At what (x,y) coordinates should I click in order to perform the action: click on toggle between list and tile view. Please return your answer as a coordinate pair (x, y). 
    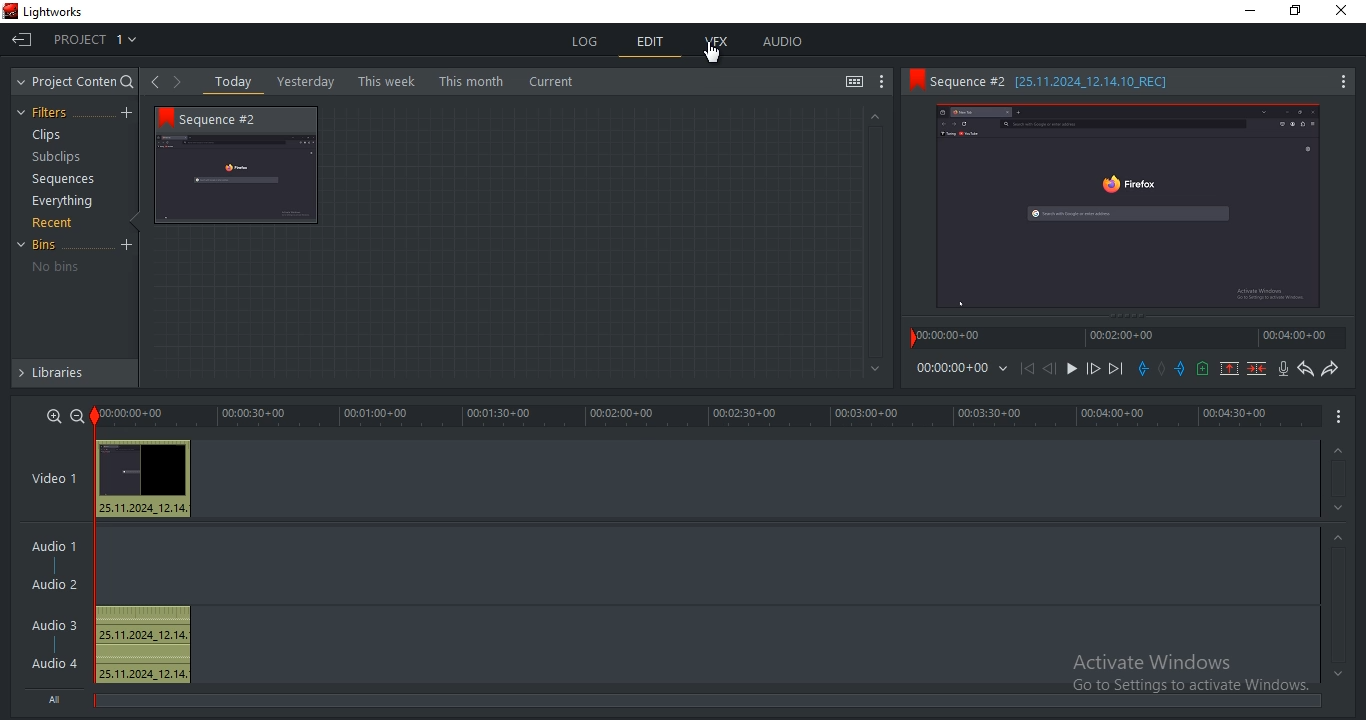
    Looking at the image, I should click on (853, 79).